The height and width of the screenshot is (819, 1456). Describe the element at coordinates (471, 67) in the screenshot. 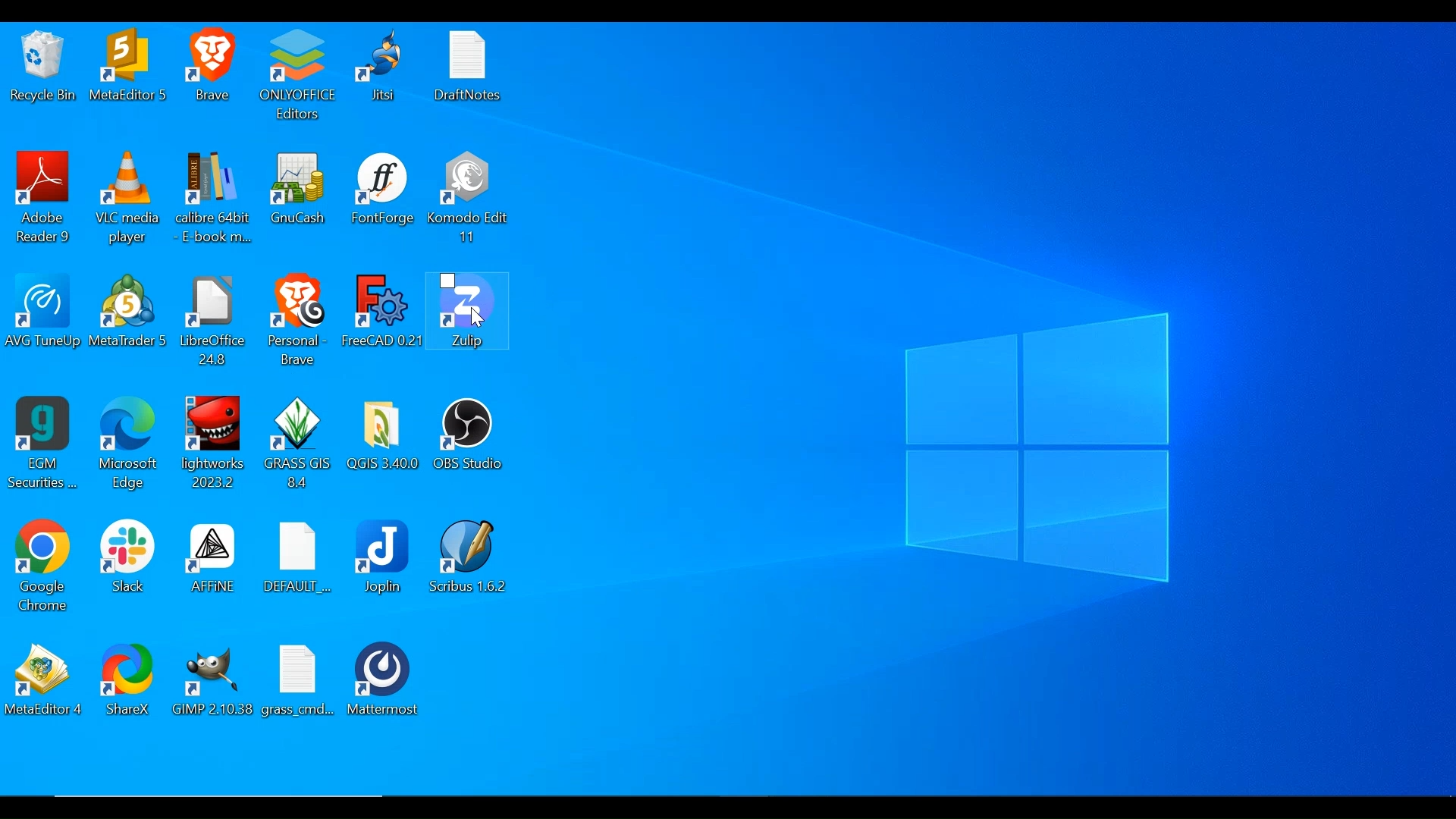

I see `Draft Notes Desktop icon` at that location.